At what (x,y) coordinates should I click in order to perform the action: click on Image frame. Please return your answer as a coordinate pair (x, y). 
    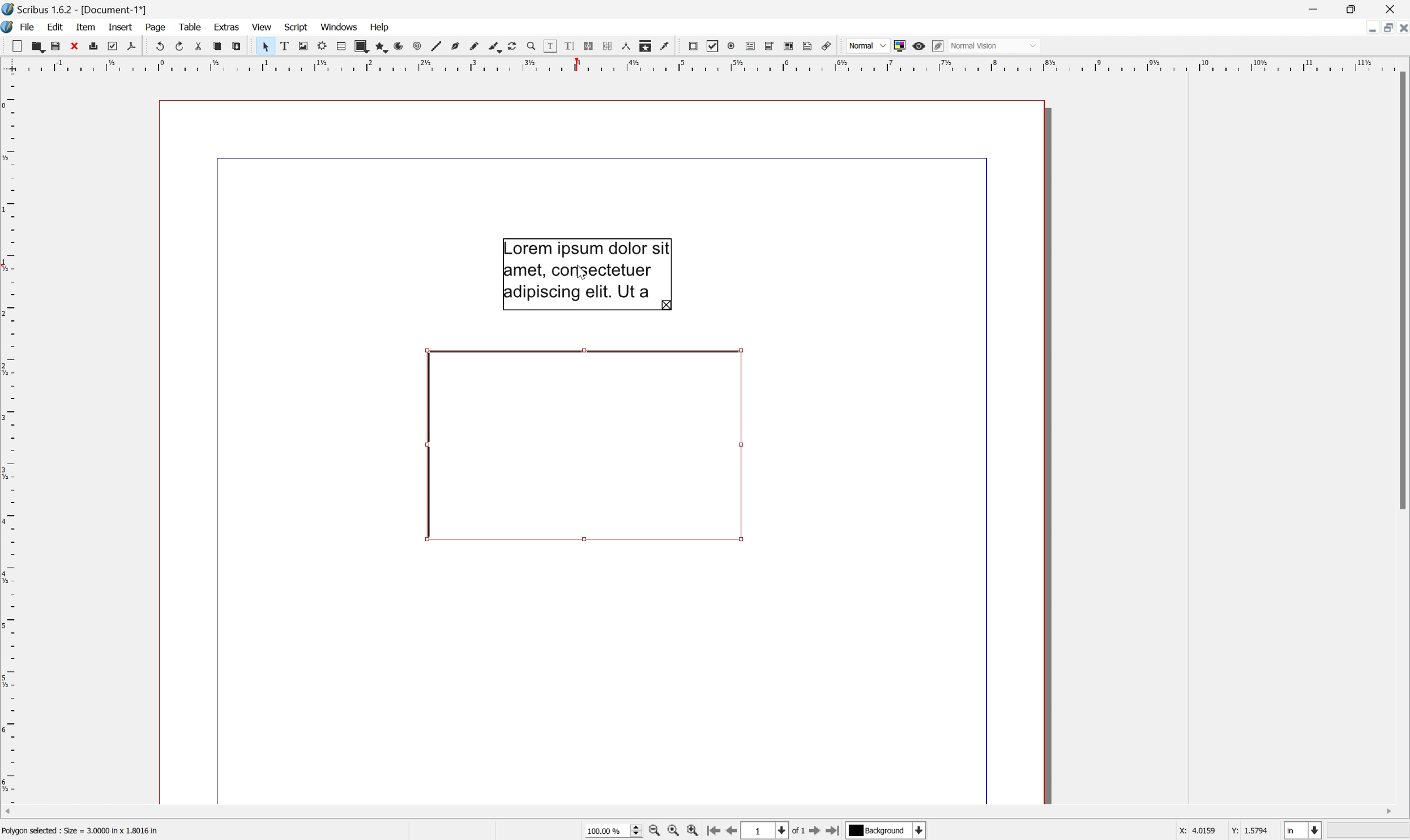
    Looking at the image, I should click on (301, 45).